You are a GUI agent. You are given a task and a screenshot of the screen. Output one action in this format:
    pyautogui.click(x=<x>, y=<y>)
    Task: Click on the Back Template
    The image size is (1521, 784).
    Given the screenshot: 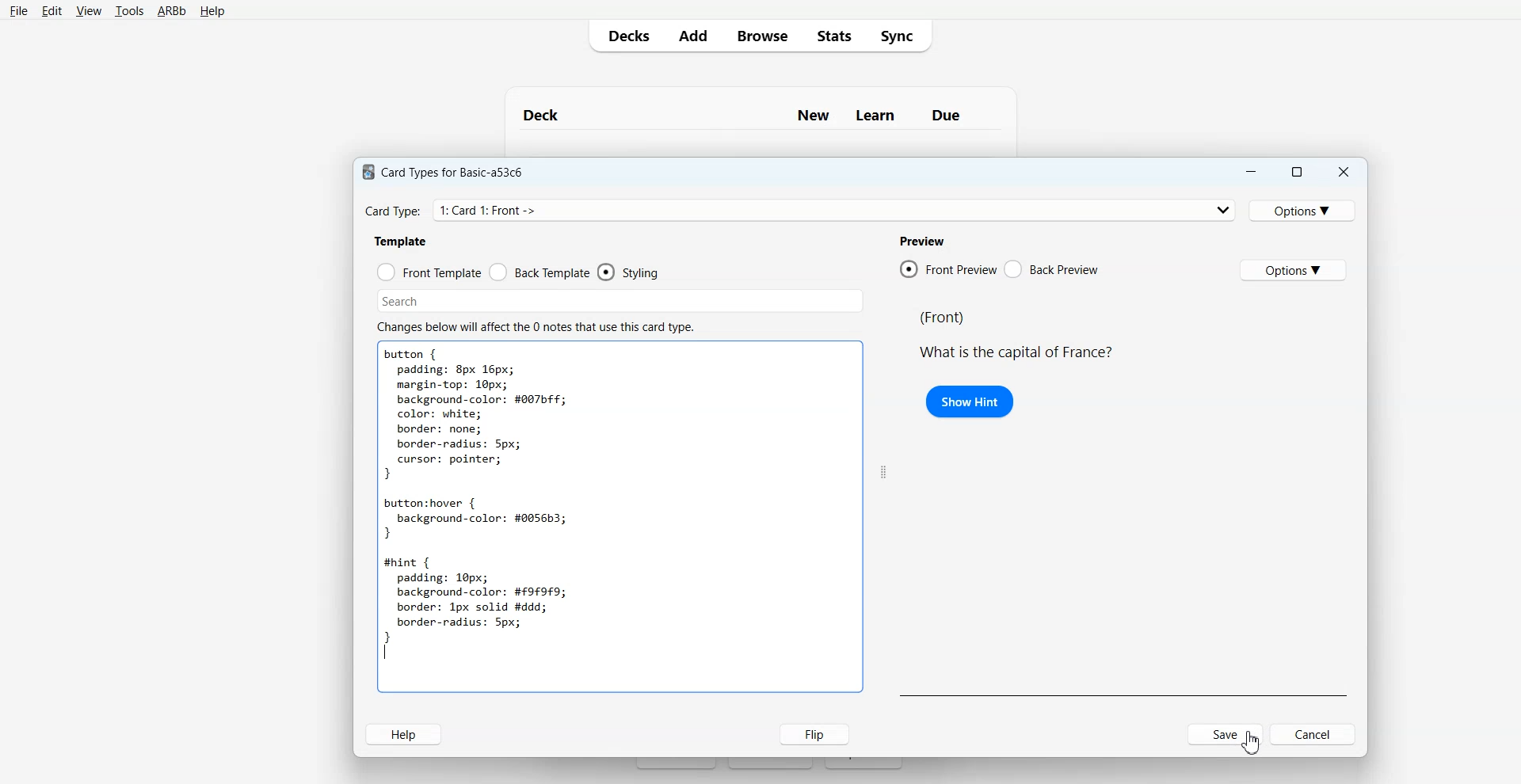 What is the action you would take?
    pyautogui.click(x=539, y=272)
    